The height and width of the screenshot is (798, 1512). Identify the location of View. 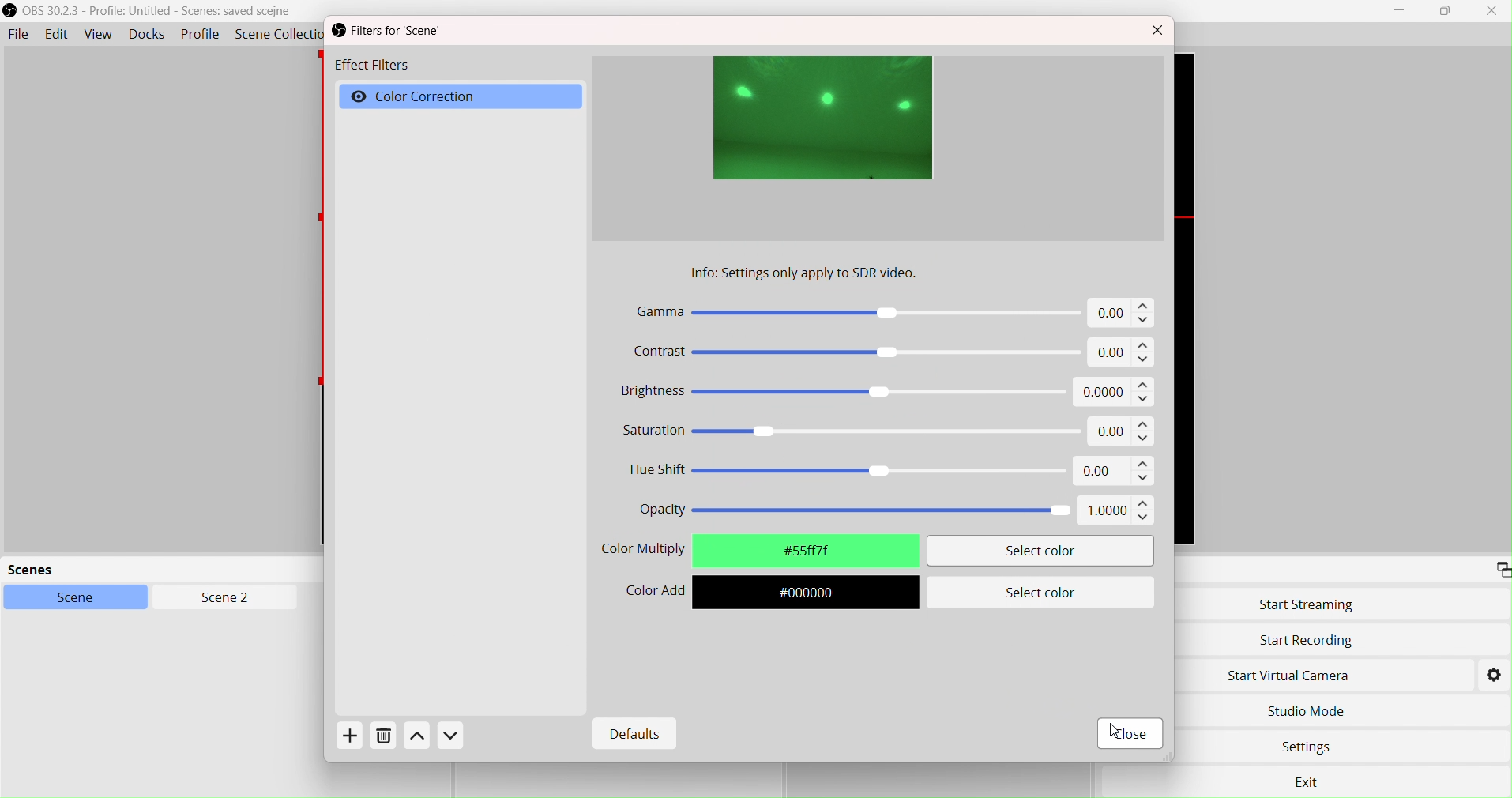
(99, 35).